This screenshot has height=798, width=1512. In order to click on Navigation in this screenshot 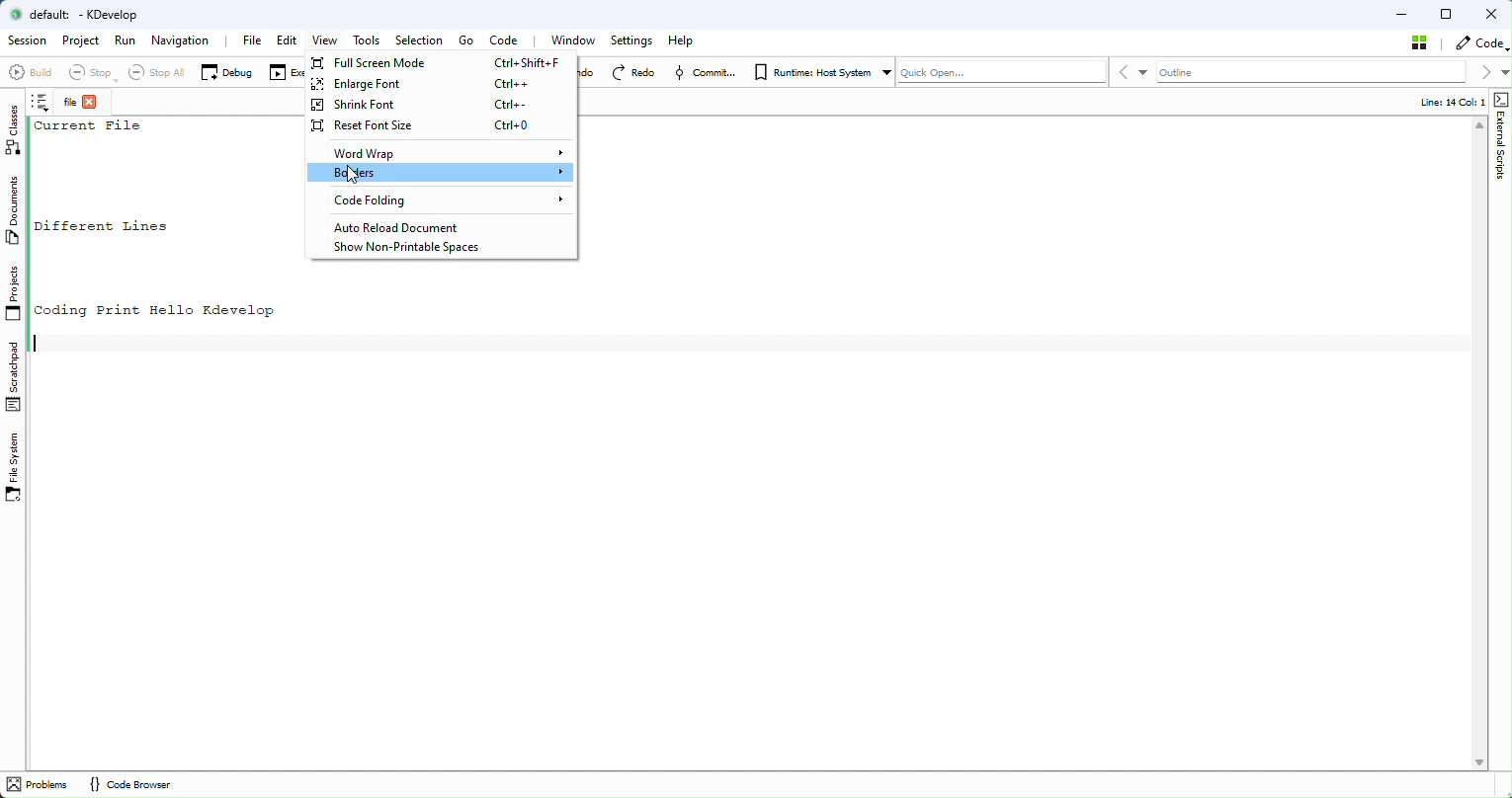, I will do `click(184, 41)`.